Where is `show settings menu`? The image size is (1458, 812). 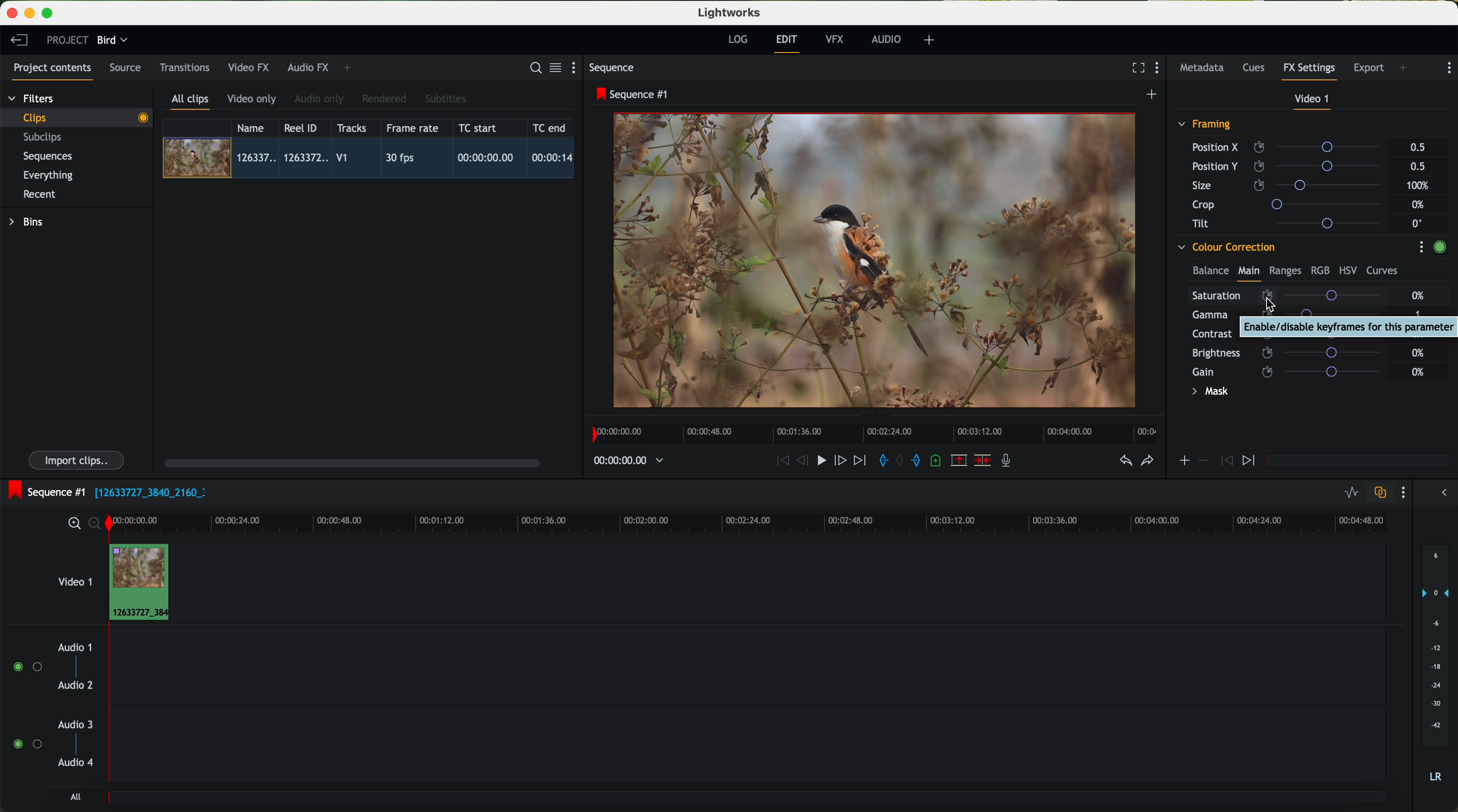 show settings menu is located at coordinates (1160, 69).